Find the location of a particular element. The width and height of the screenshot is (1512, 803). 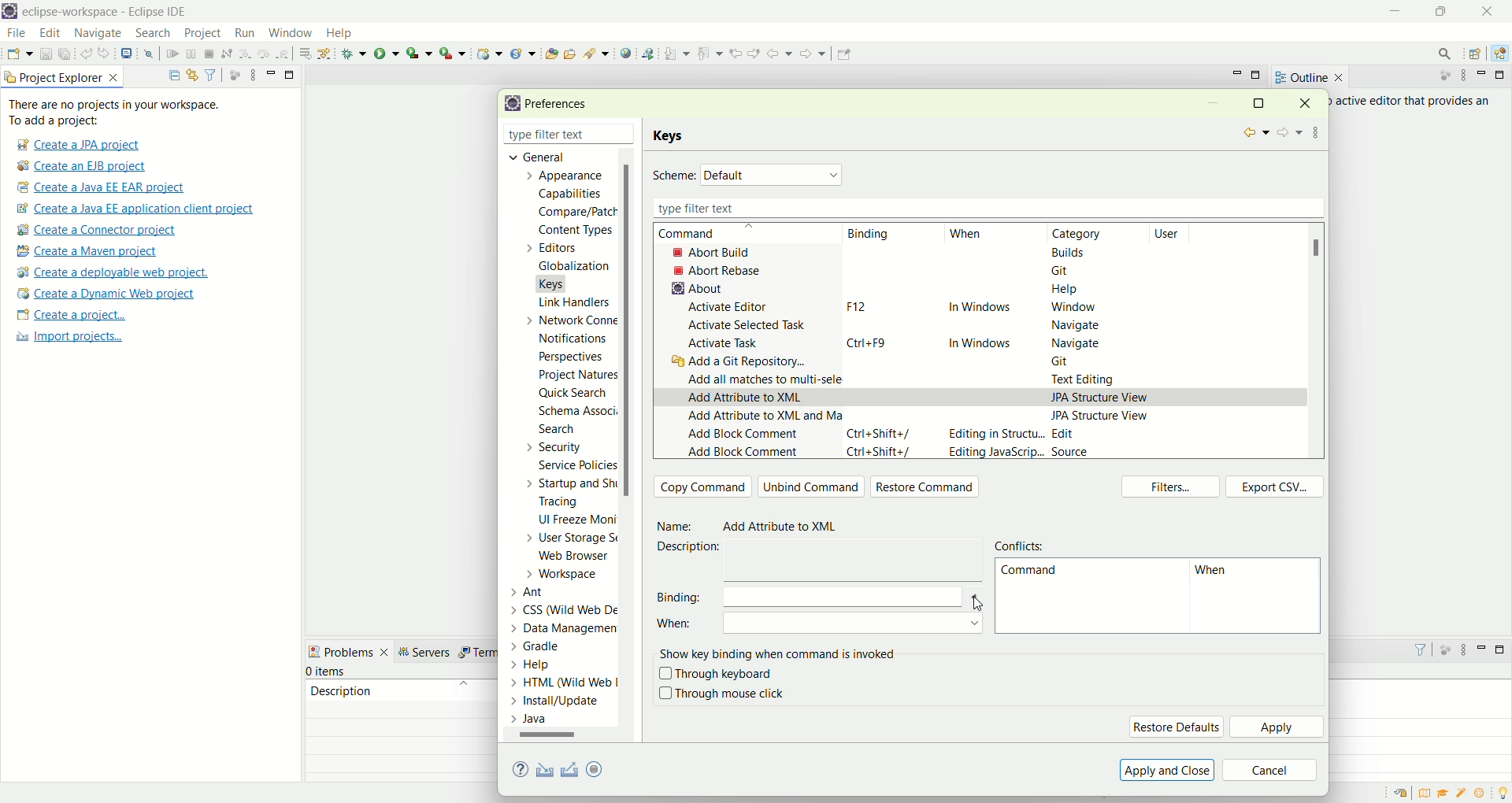

focus on active task is located at coordinates (1444, 649).